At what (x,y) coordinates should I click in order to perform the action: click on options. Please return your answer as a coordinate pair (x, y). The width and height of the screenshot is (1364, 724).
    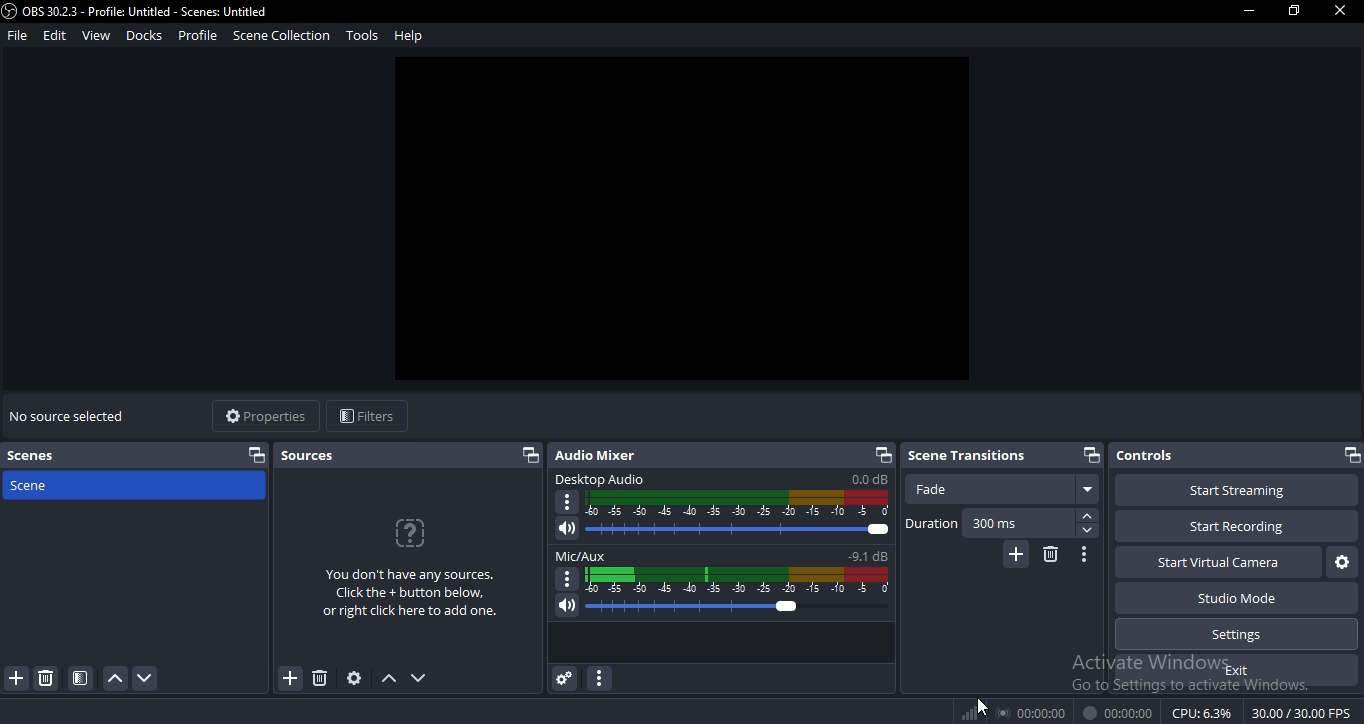
    Looking at the image, I should click on (565, 579).